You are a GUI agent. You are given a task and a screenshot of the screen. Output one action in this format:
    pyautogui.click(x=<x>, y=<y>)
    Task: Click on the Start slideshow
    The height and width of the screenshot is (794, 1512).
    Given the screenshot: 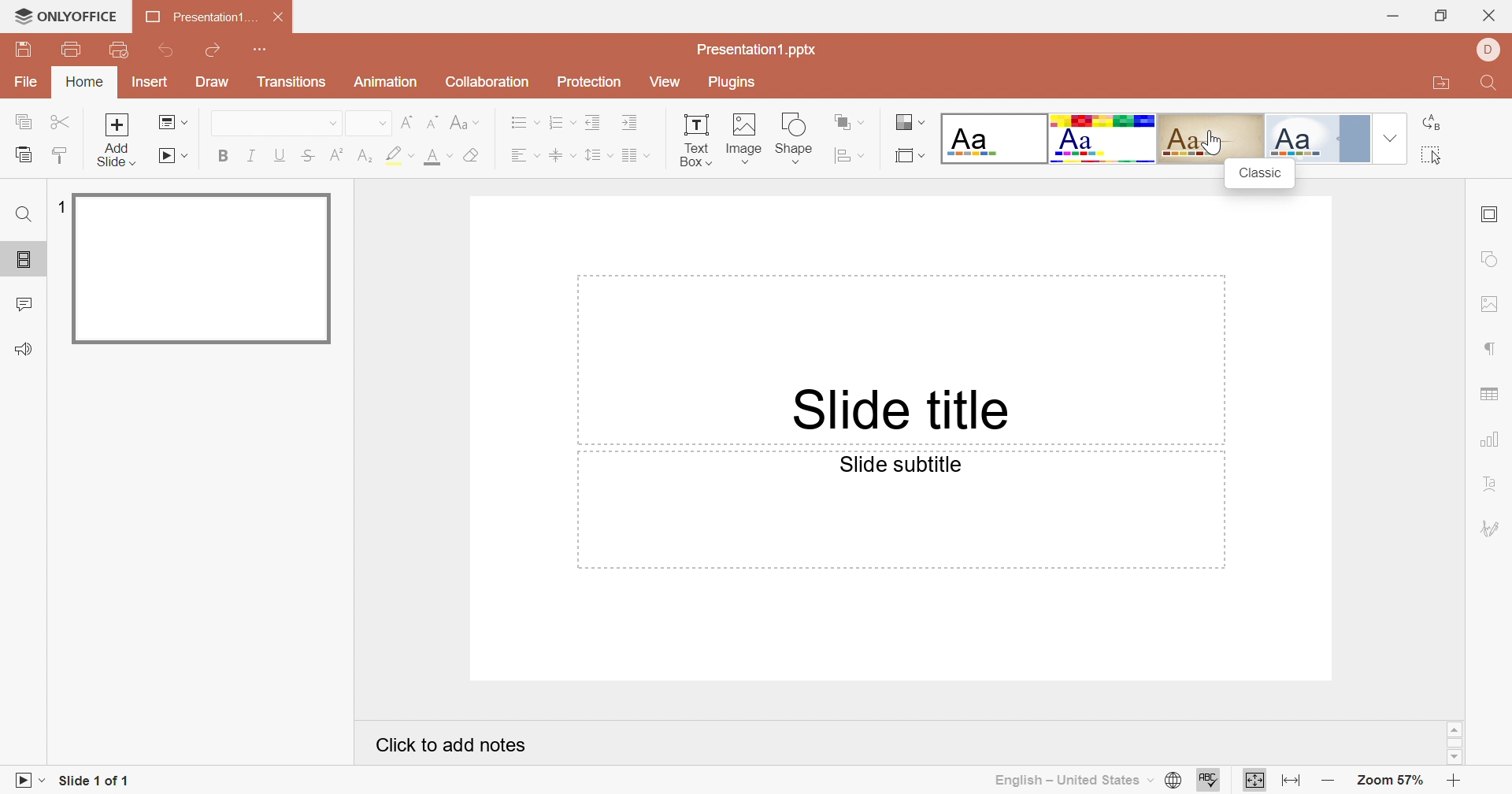 What is the action you would take?
    pyautogui.click(x=164, y=155)
    